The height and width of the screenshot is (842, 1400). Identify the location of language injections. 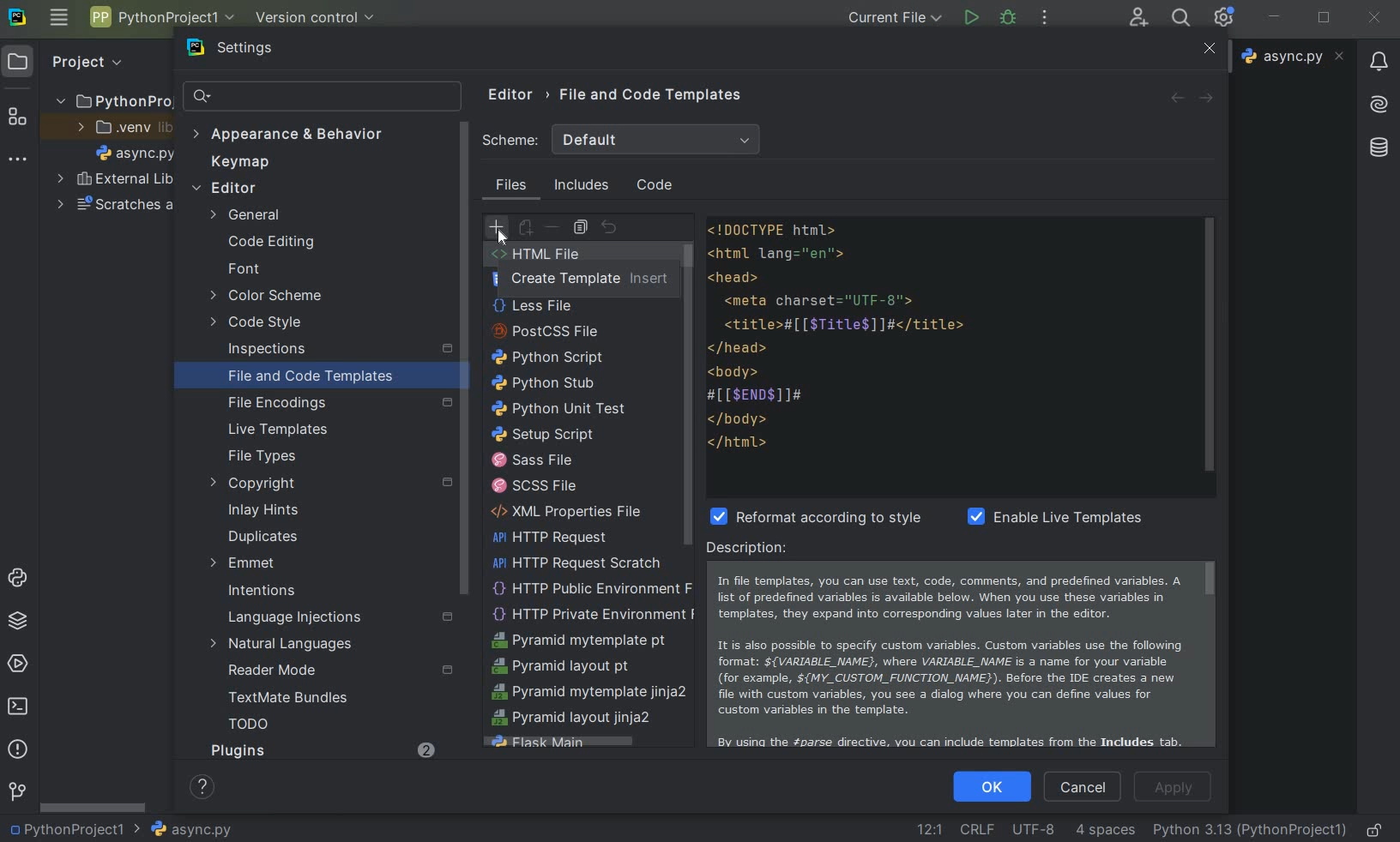
(334, 617).